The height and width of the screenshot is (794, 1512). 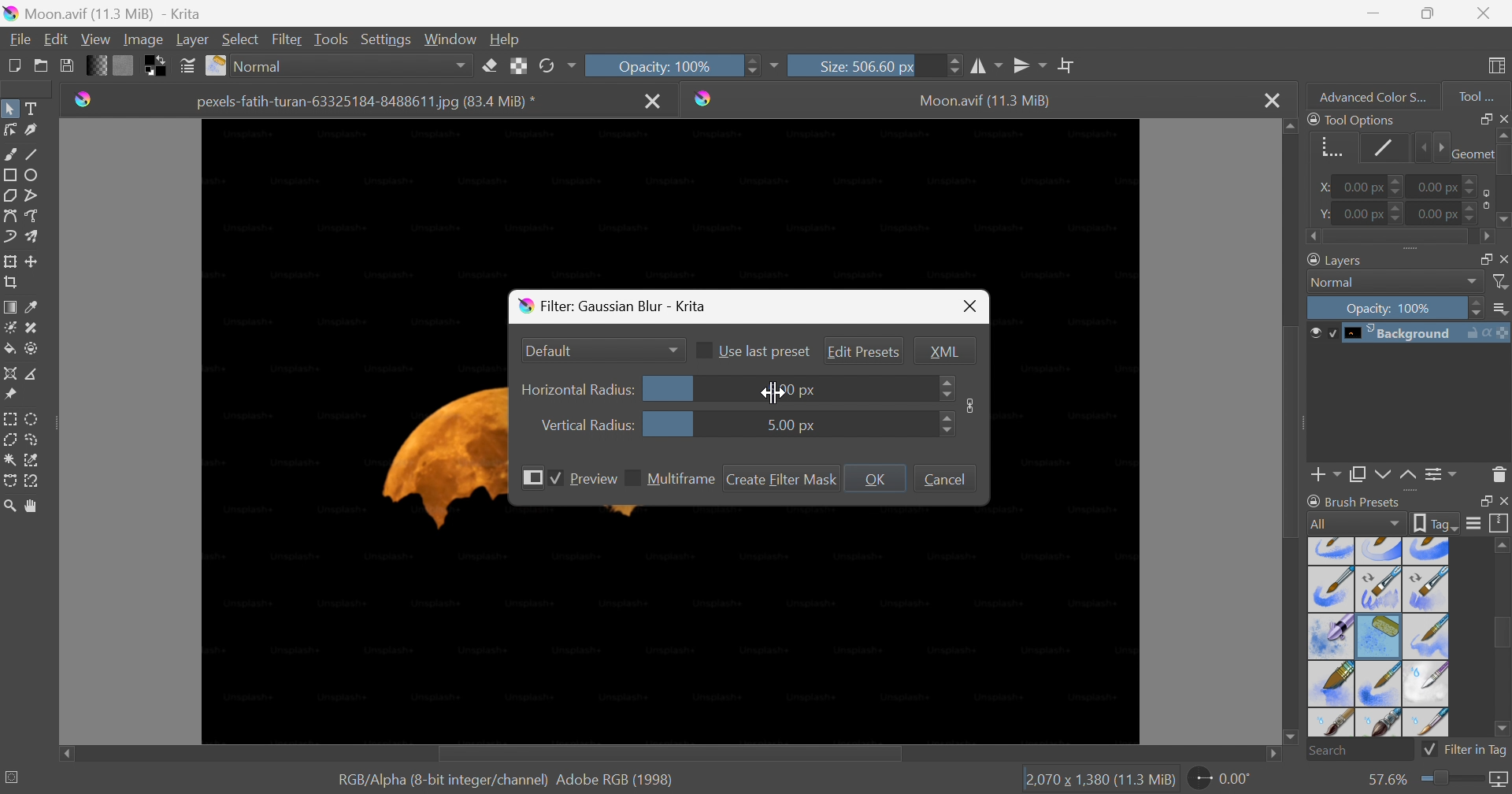 What do you see at coordinates (9, 280) in the screenshot?
I see `Crop an image to an area` at bounding box center [9, 280].